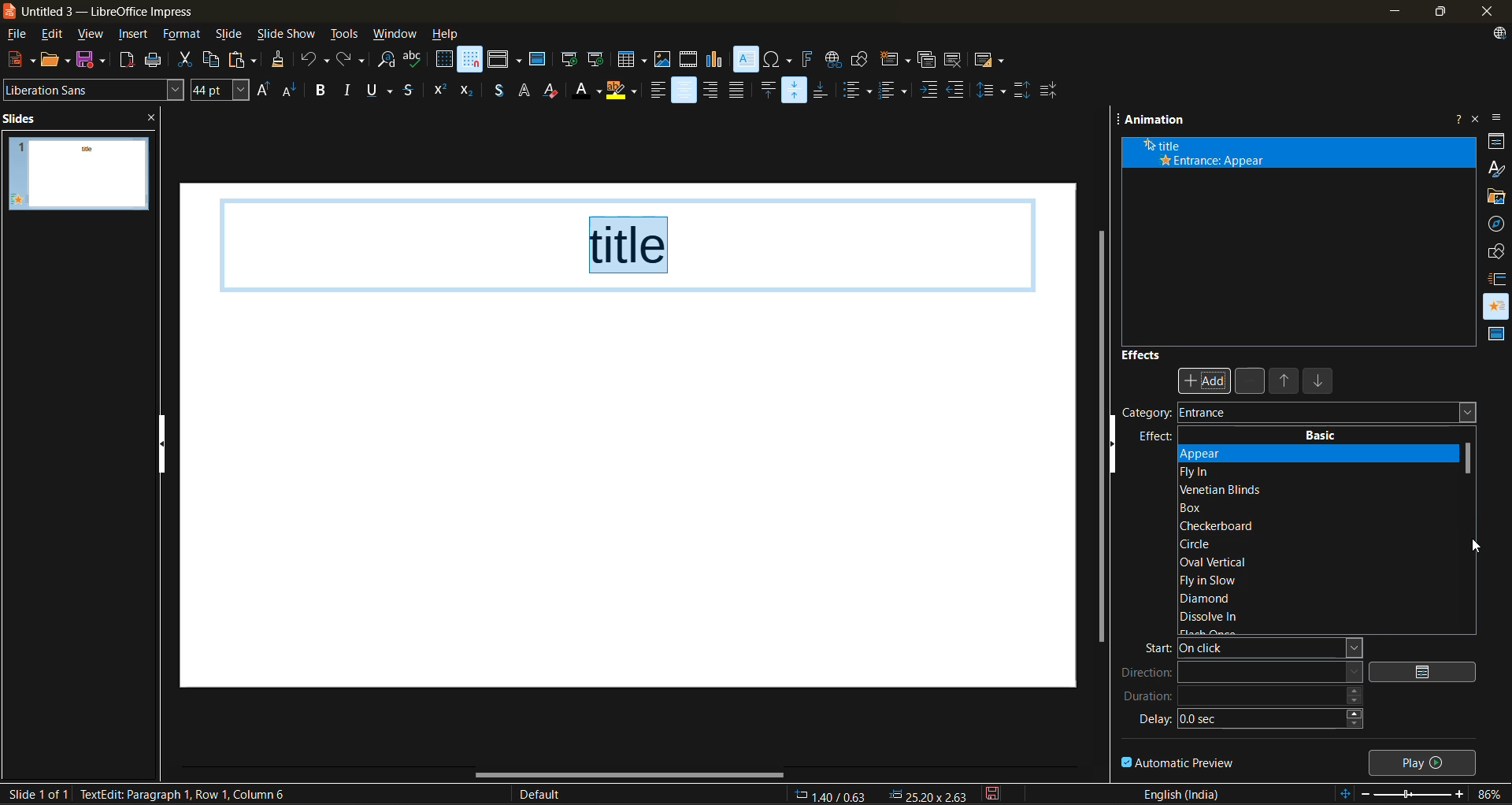 The image size is (1512, 805). What do you see at coordinates (1492, 794) in the screenshot?
I see `zoom factor` at bounding box center [1492, 794].